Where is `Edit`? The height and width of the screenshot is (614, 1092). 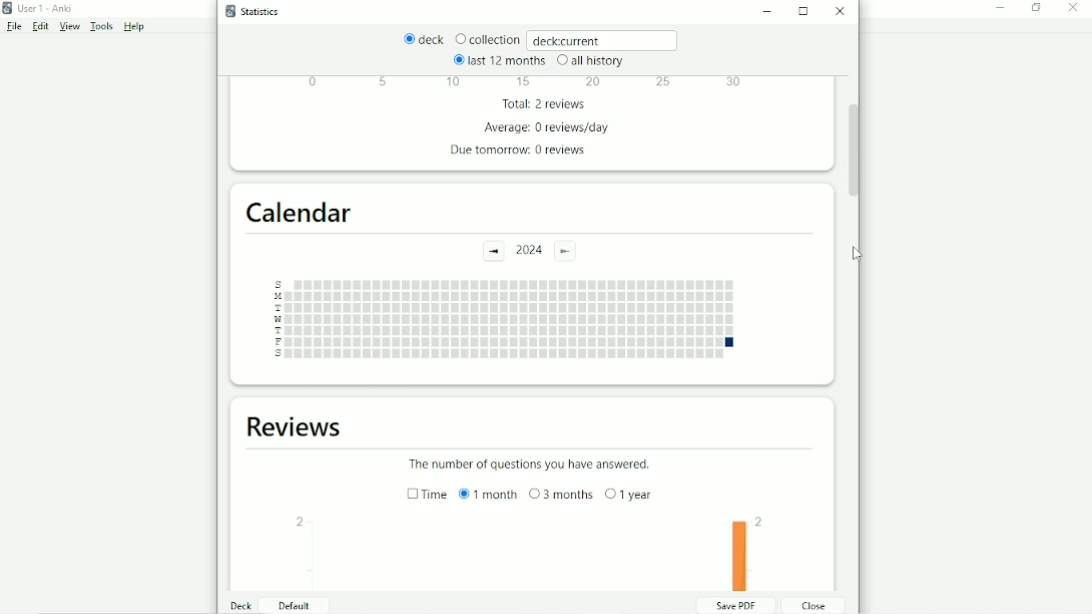 Edit is located at coordinates (41, 27).